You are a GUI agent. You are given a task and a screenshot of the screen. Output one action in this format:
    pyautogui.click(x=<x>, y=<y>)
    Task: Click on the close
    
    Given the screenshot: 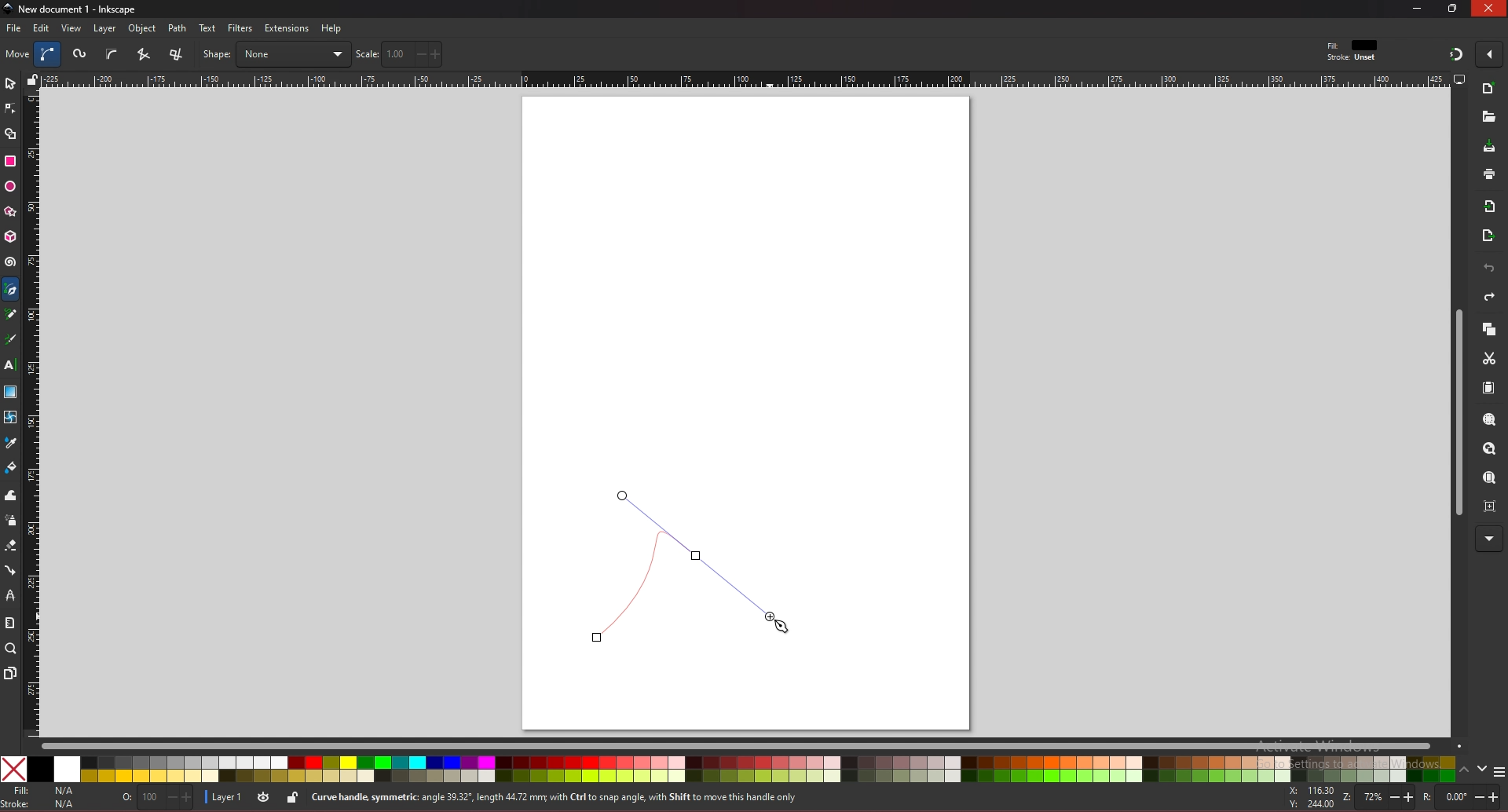 What is the action you would take?
    pyautogui.click(x=1488, y=9)
    